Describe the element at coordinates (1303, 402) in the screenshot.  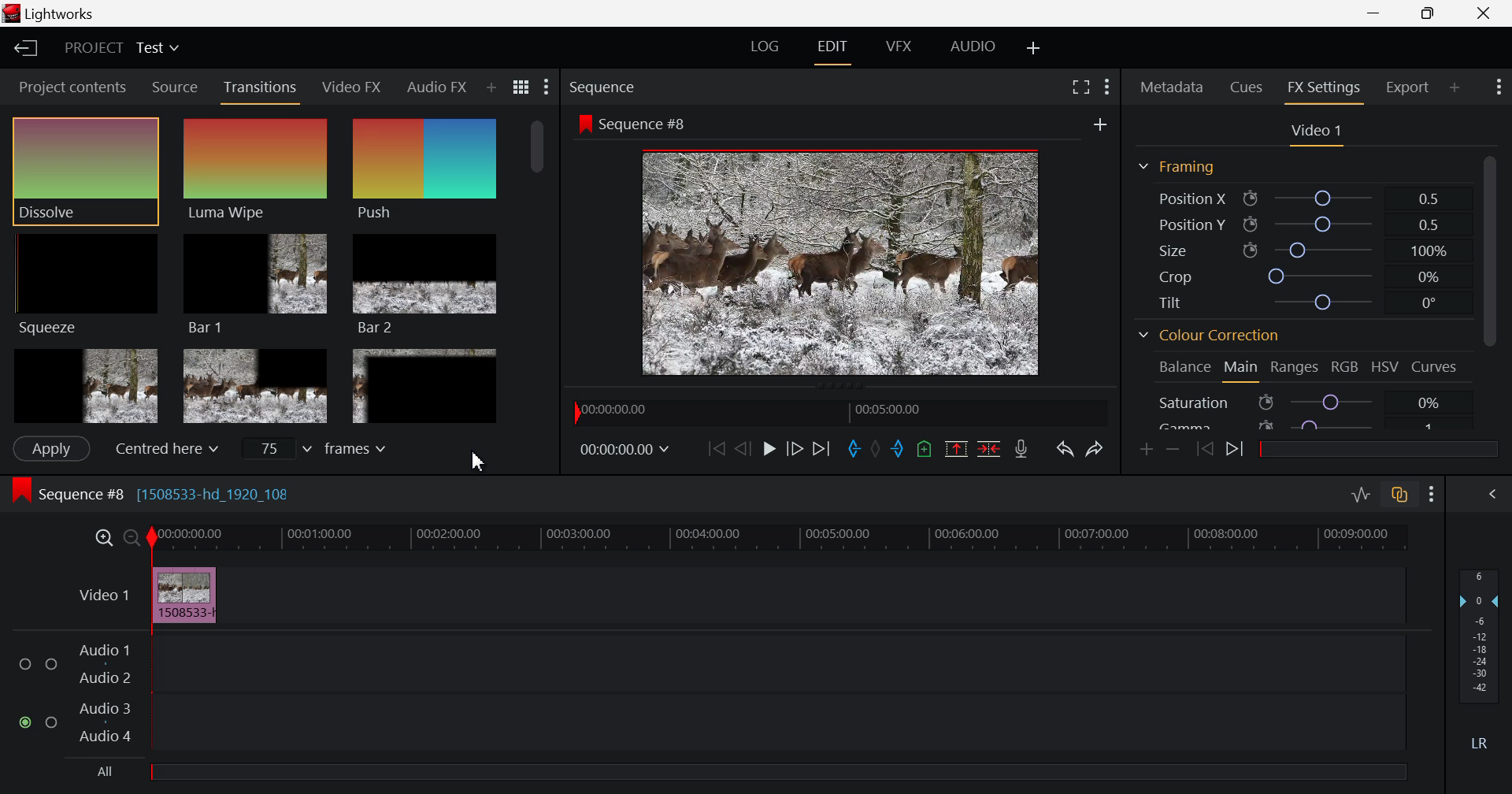
I see `Saturation` at that location.